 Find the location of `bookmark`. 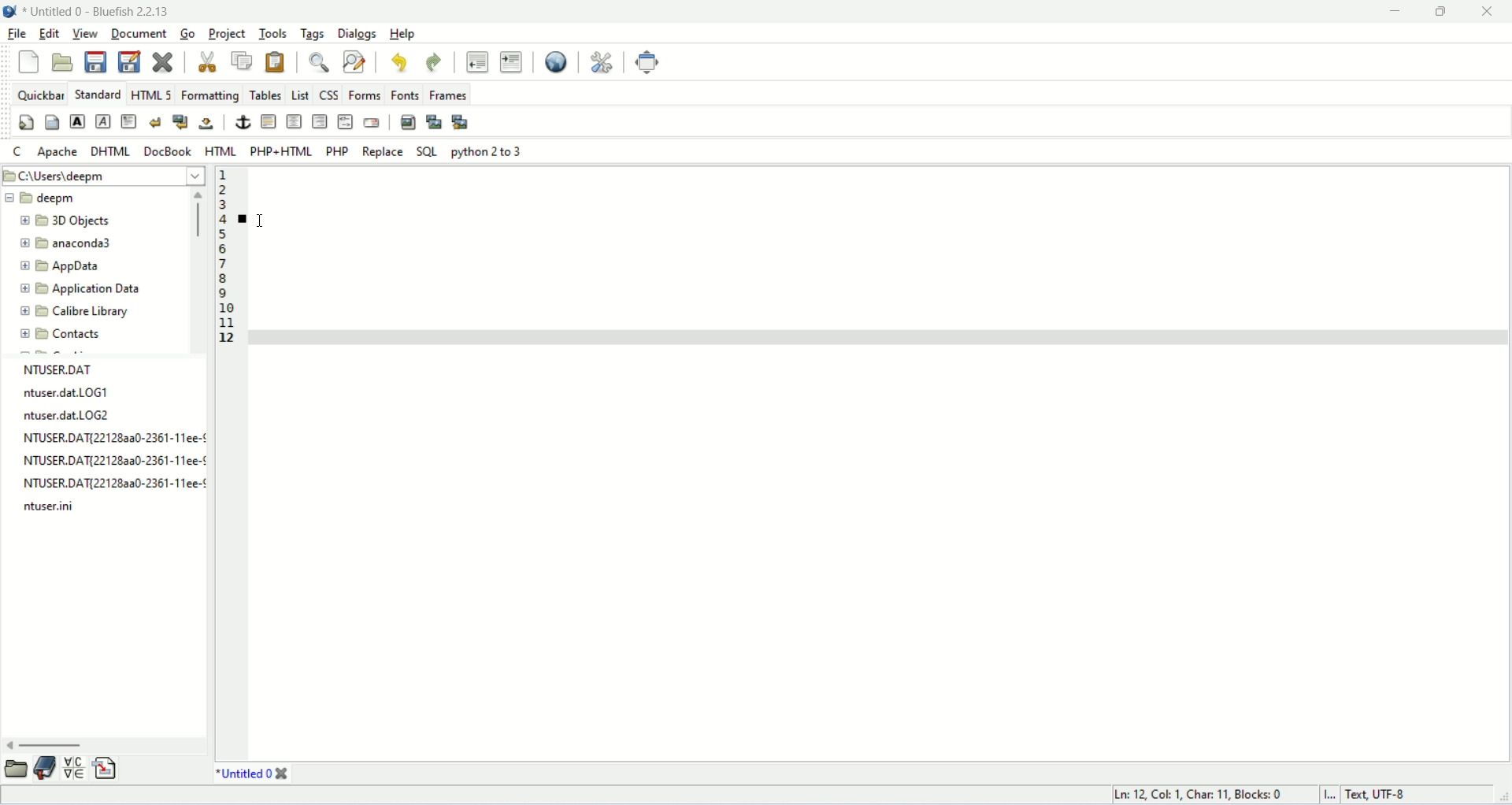

bookmark is located at coordinates (244, 219).